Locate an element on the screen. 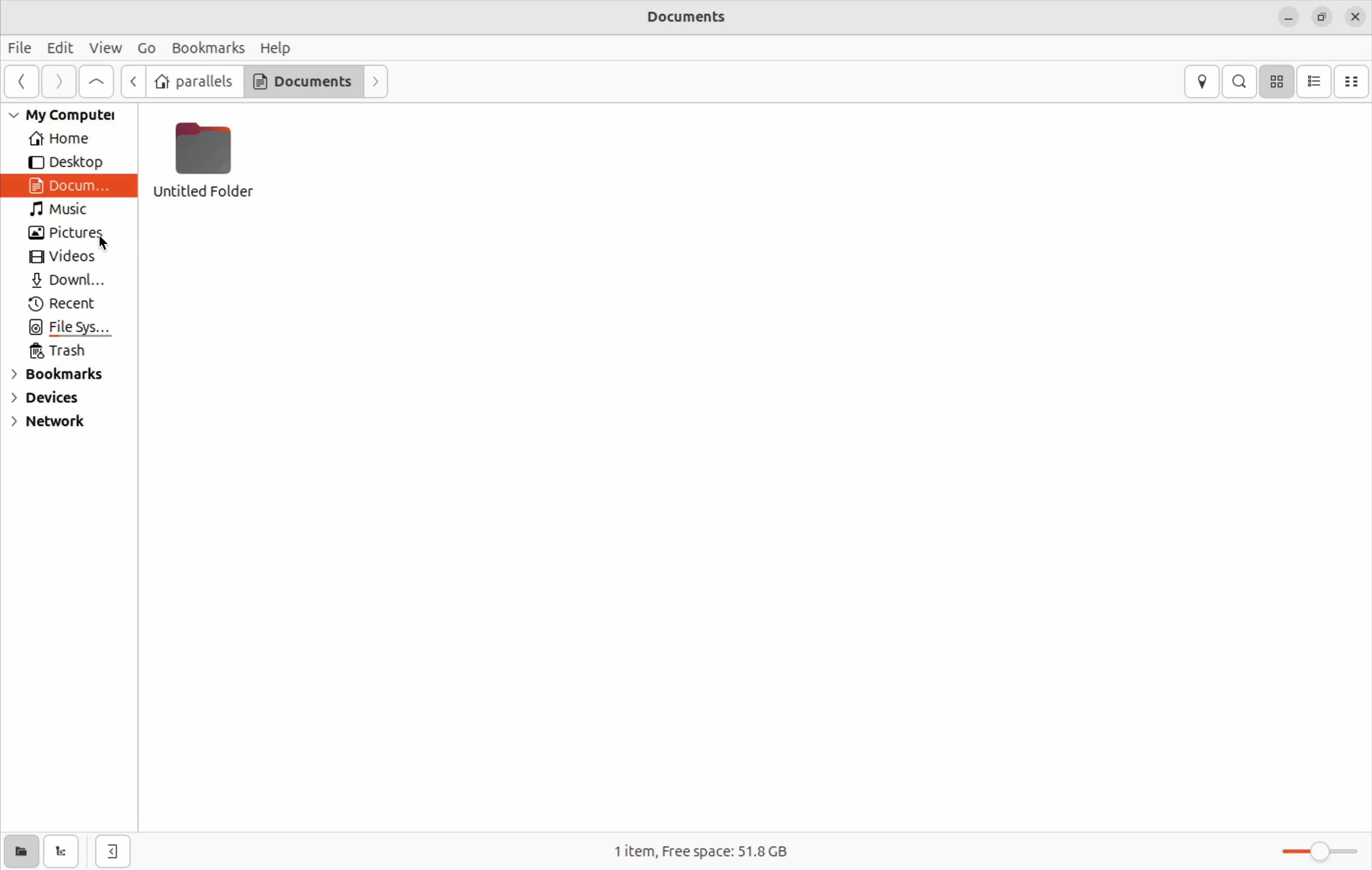 The width and height of the screenshot is (1372, 870). search is located at coordinates (1240, 83).